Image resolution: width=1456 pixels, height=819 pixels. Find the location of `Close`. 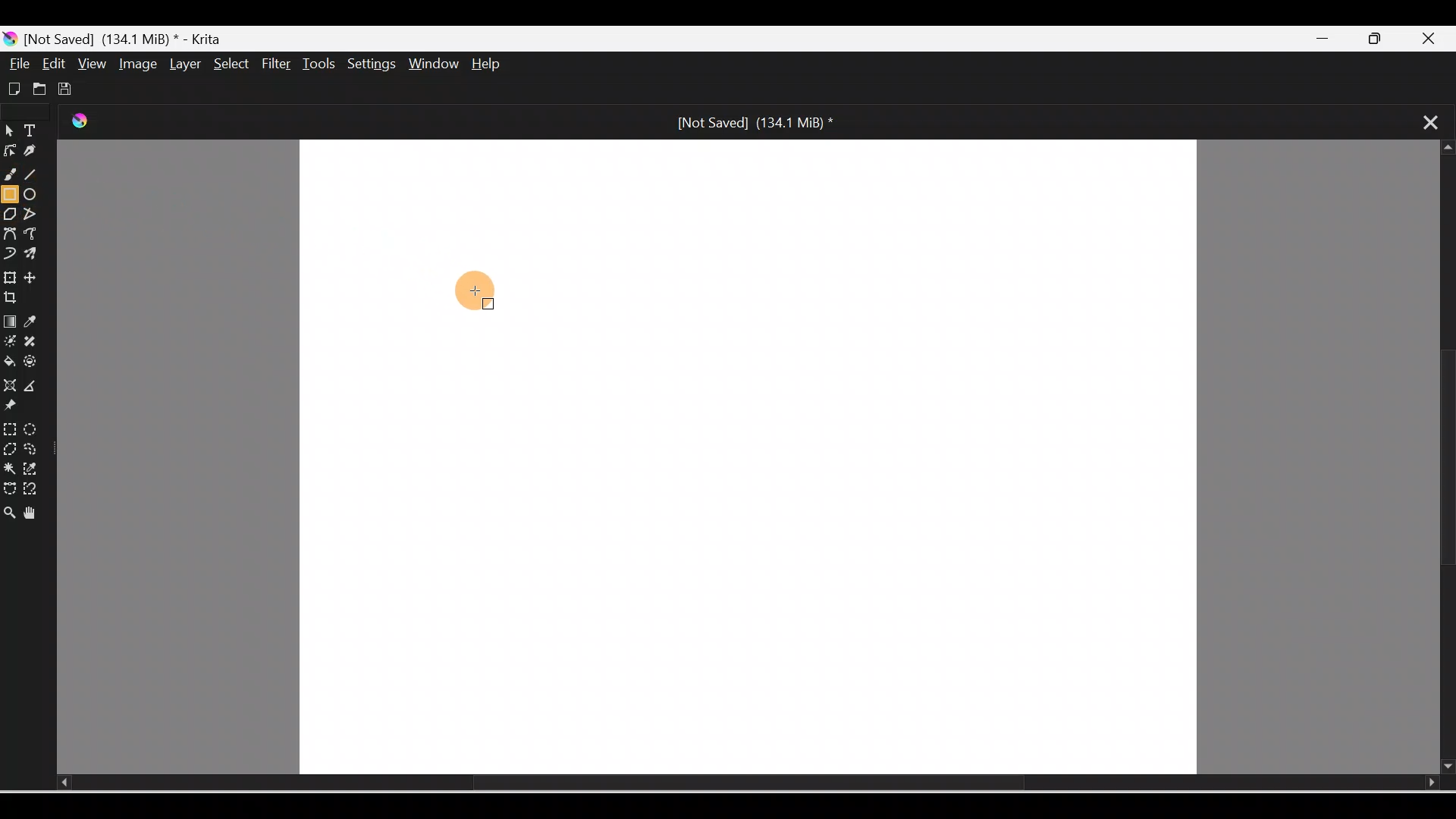

Close is located at coordinates (1436, 36).